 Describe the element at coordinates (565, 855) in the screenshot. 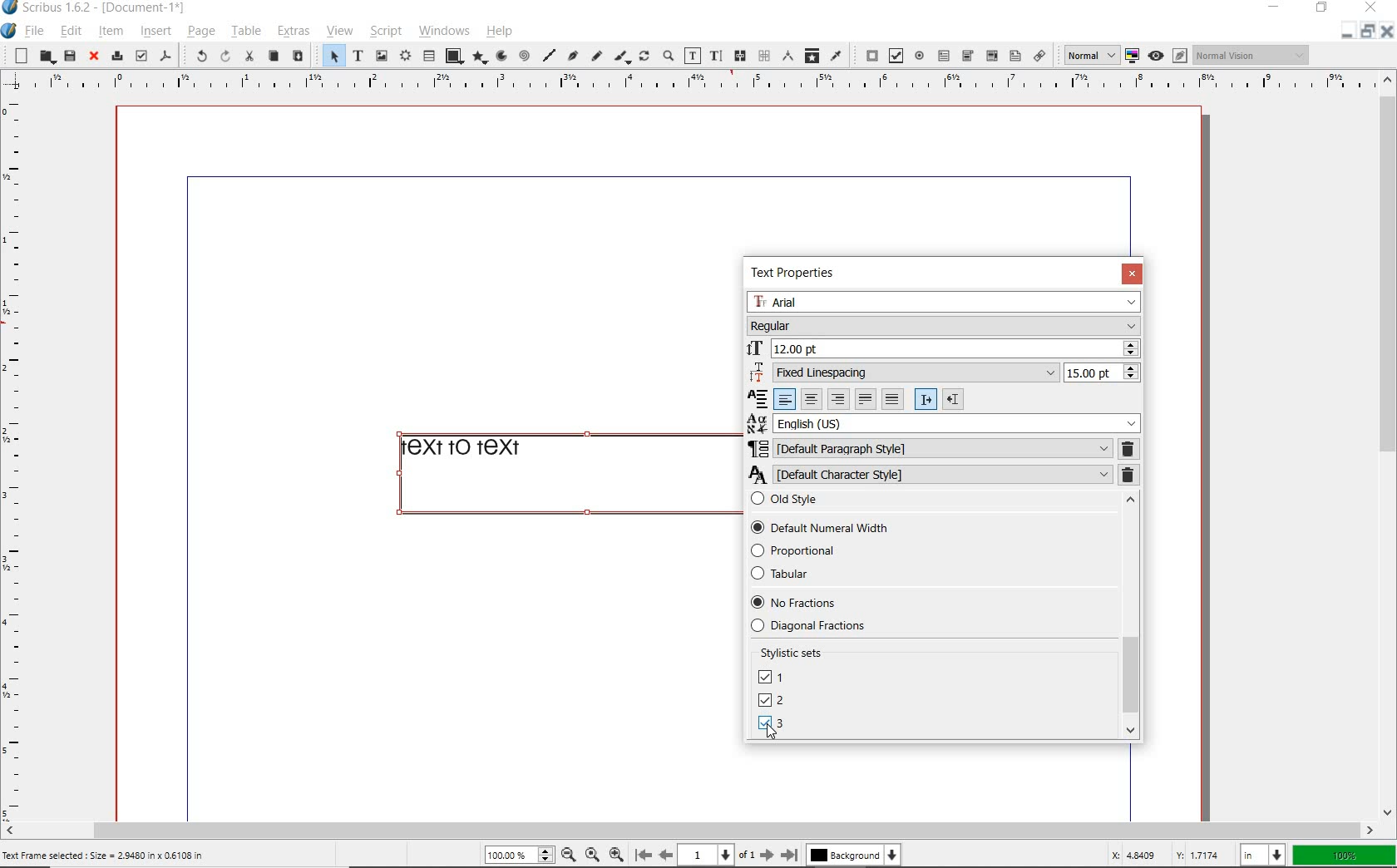

I see `Zoom out` at that location.